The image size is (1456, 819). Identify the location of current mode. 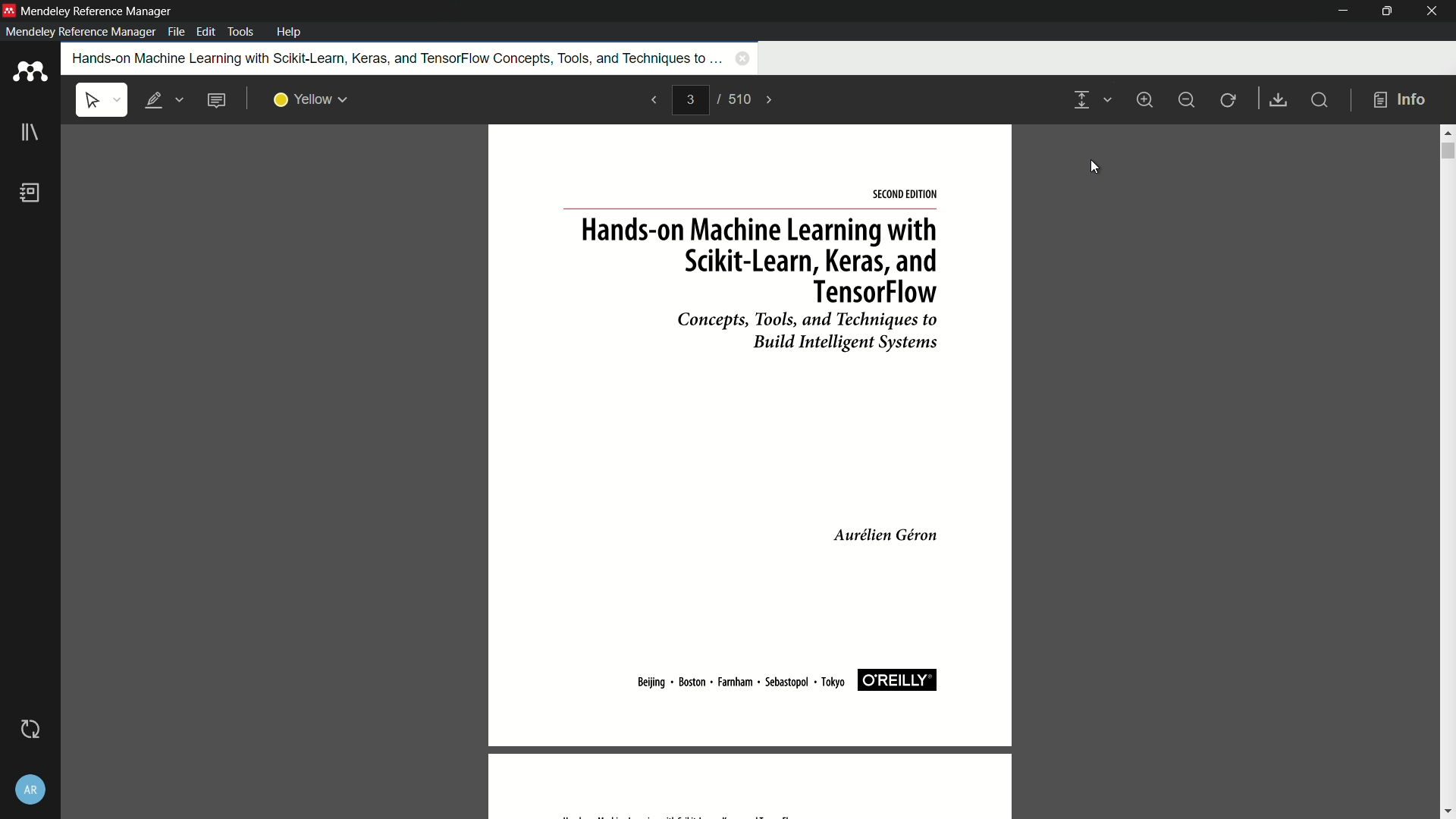
(1080, 101).